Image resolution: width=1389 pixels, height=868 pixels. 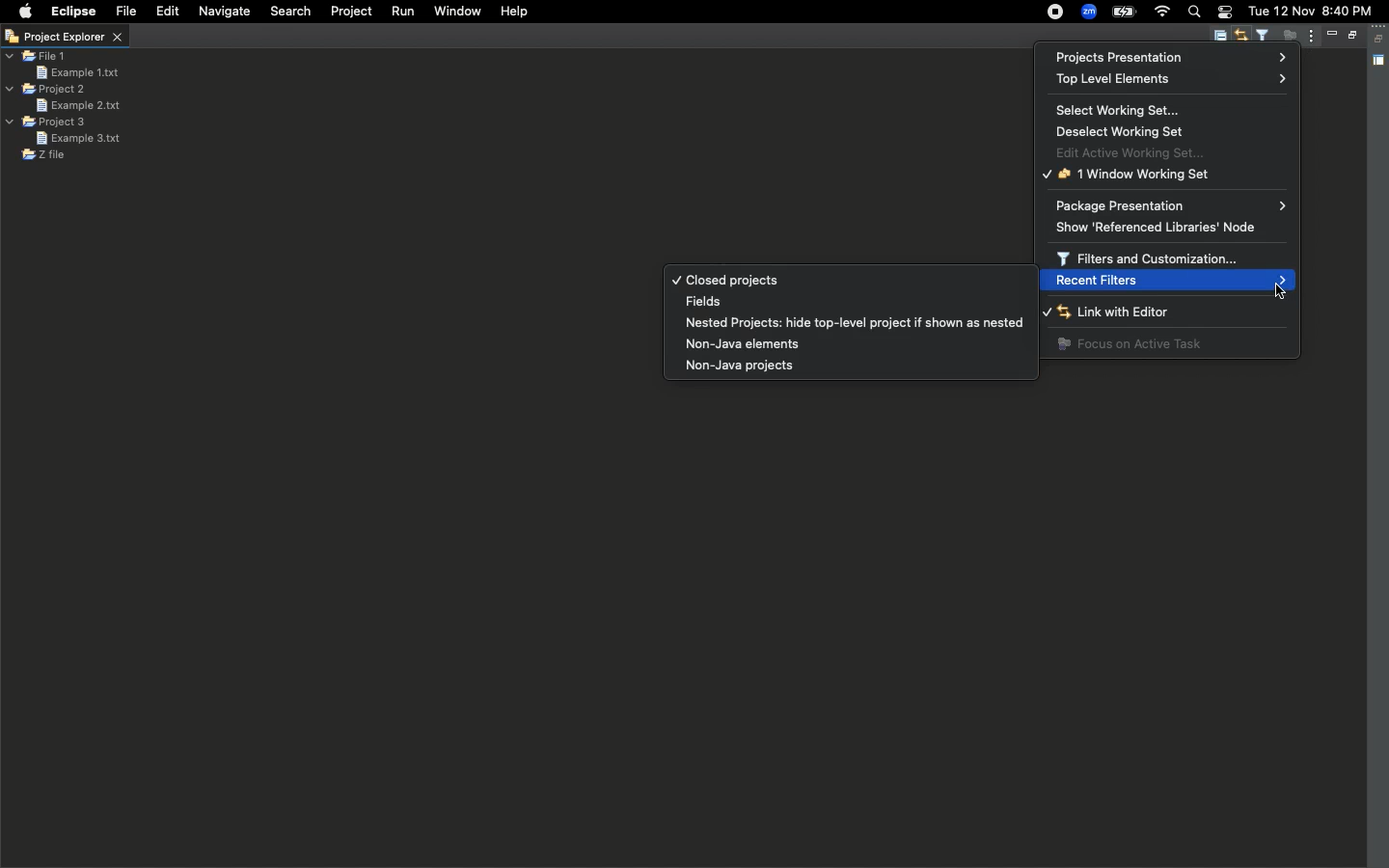 I want to click on Search, so click(x=288, y=14).